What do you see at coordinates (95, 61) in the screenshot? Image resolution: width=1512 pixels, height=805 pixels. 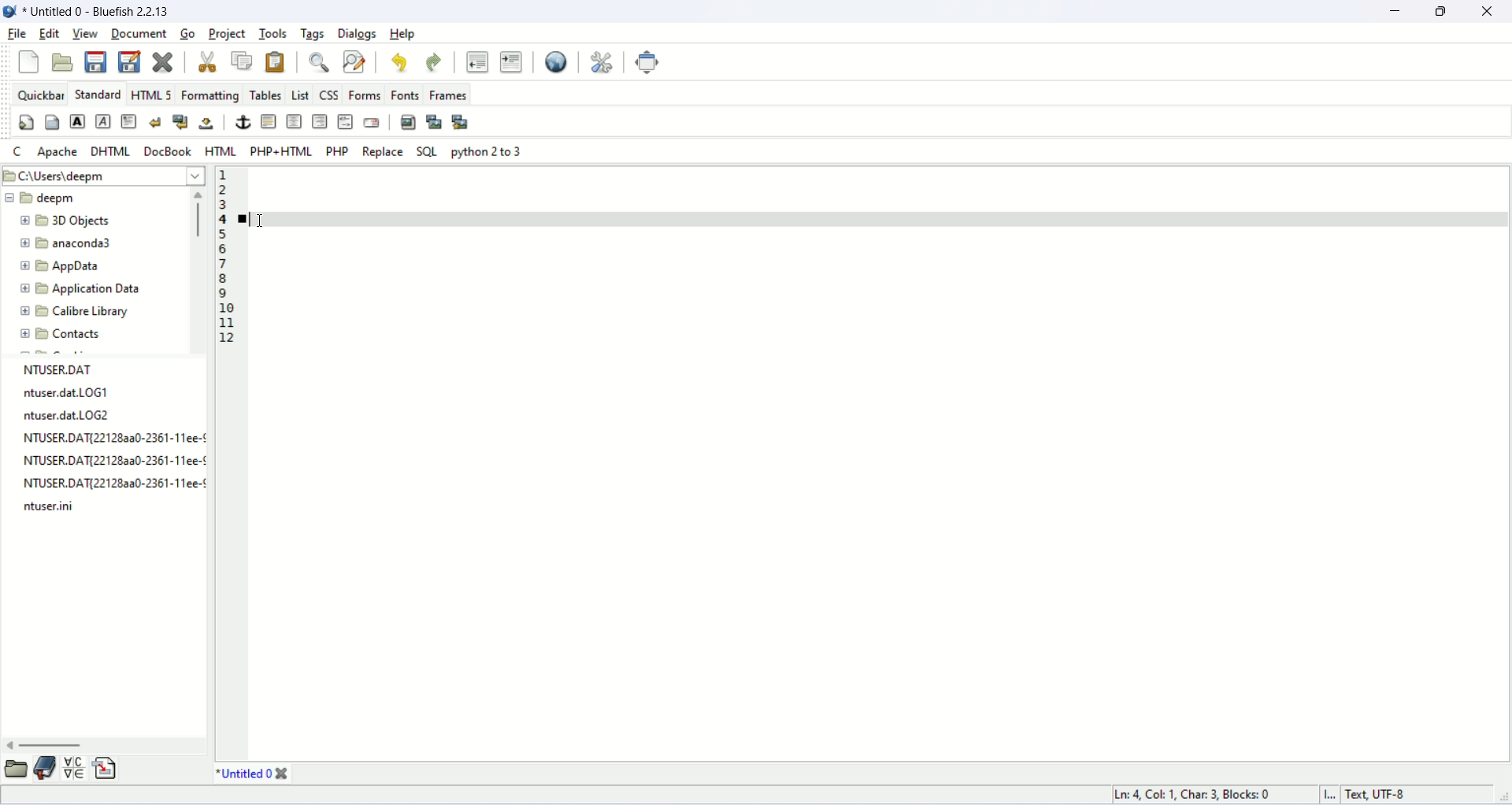 I see `save current file` at bounding box center [95, 61].